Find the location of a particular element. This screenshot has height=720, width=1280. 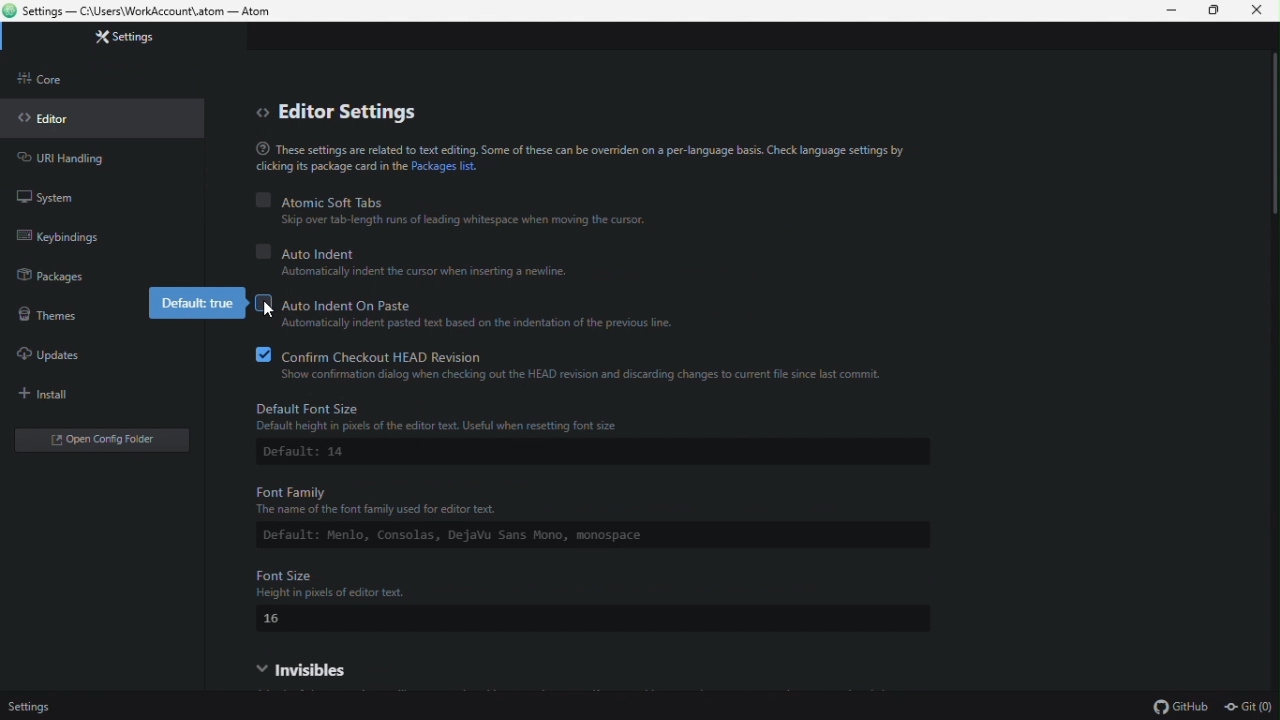

default true is located at coordinates (195, 304).